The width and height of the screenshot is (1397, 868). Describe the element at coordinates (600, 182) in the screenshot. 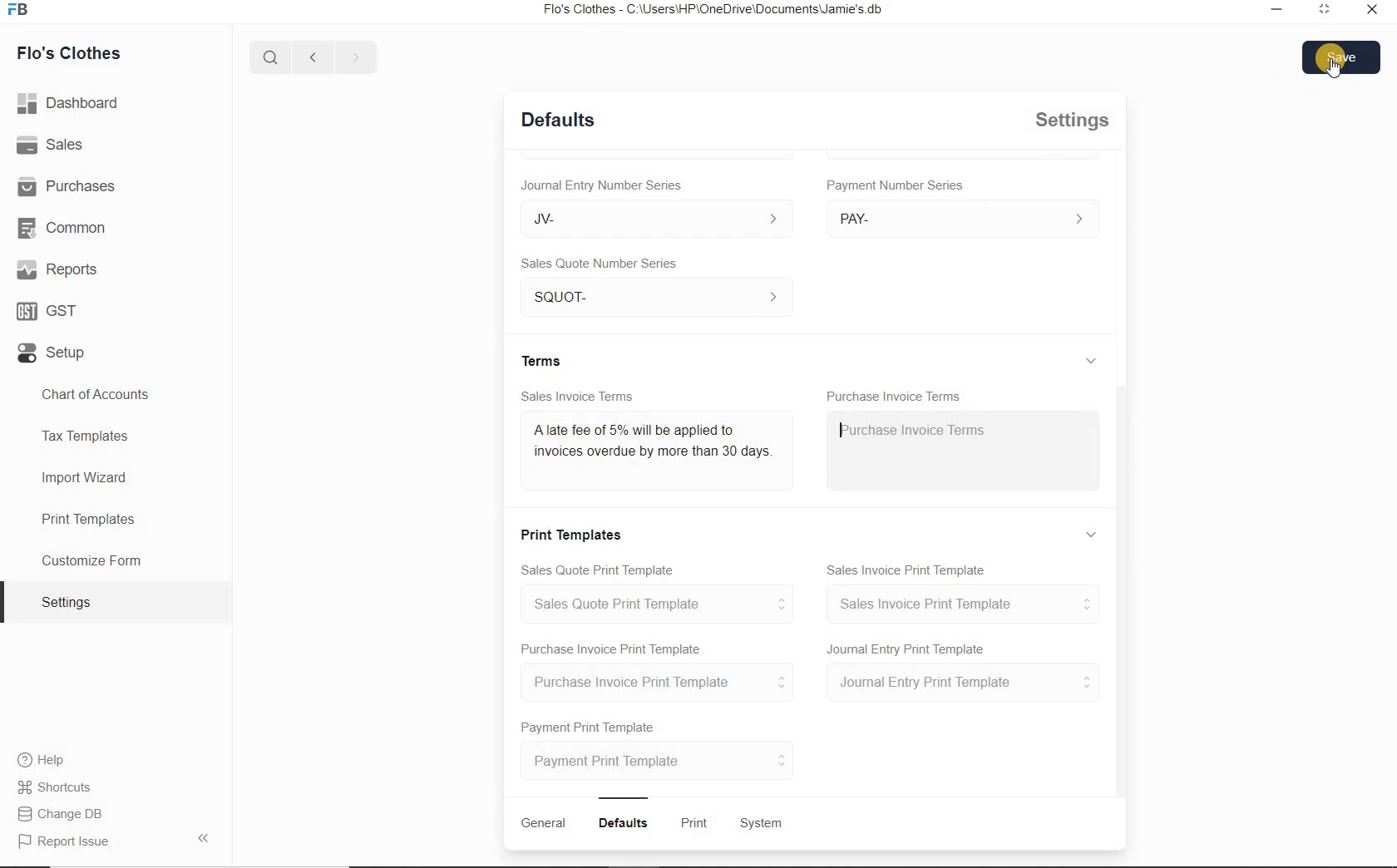

I see `Journal Entry Number Series` at that location.